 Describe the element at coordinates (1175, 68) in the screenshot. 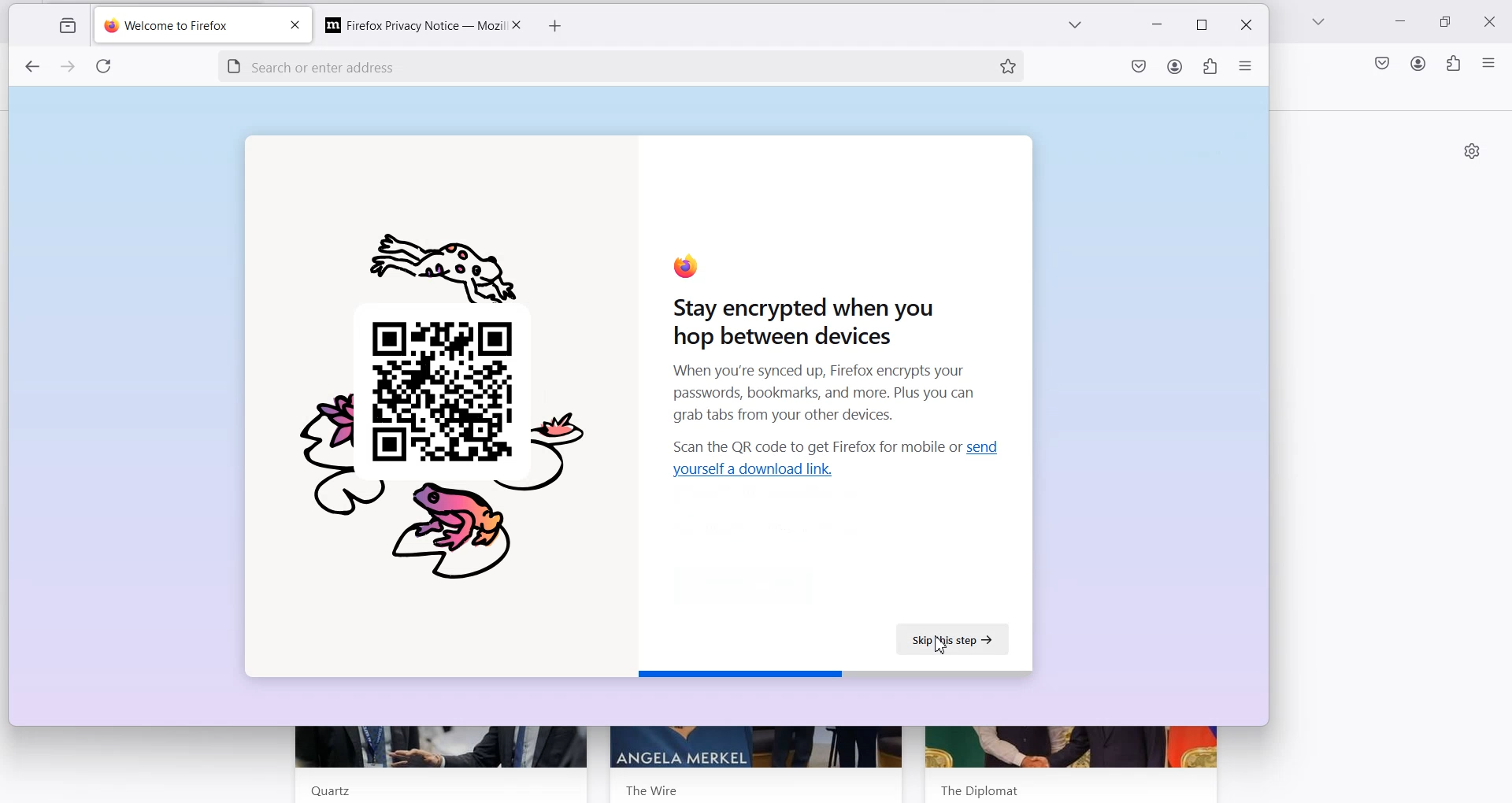

I see `account` at that location.